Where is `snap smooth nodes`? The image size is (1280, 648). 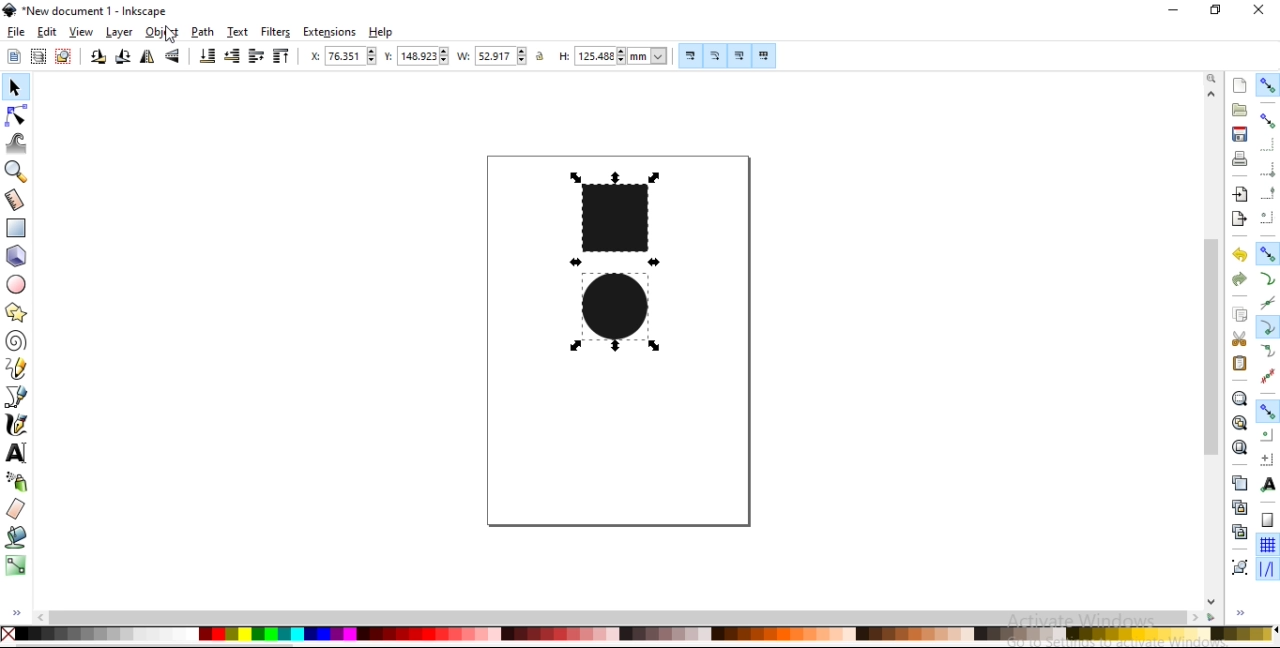 snap smooth nodes is located at coordinates (1267, 351).